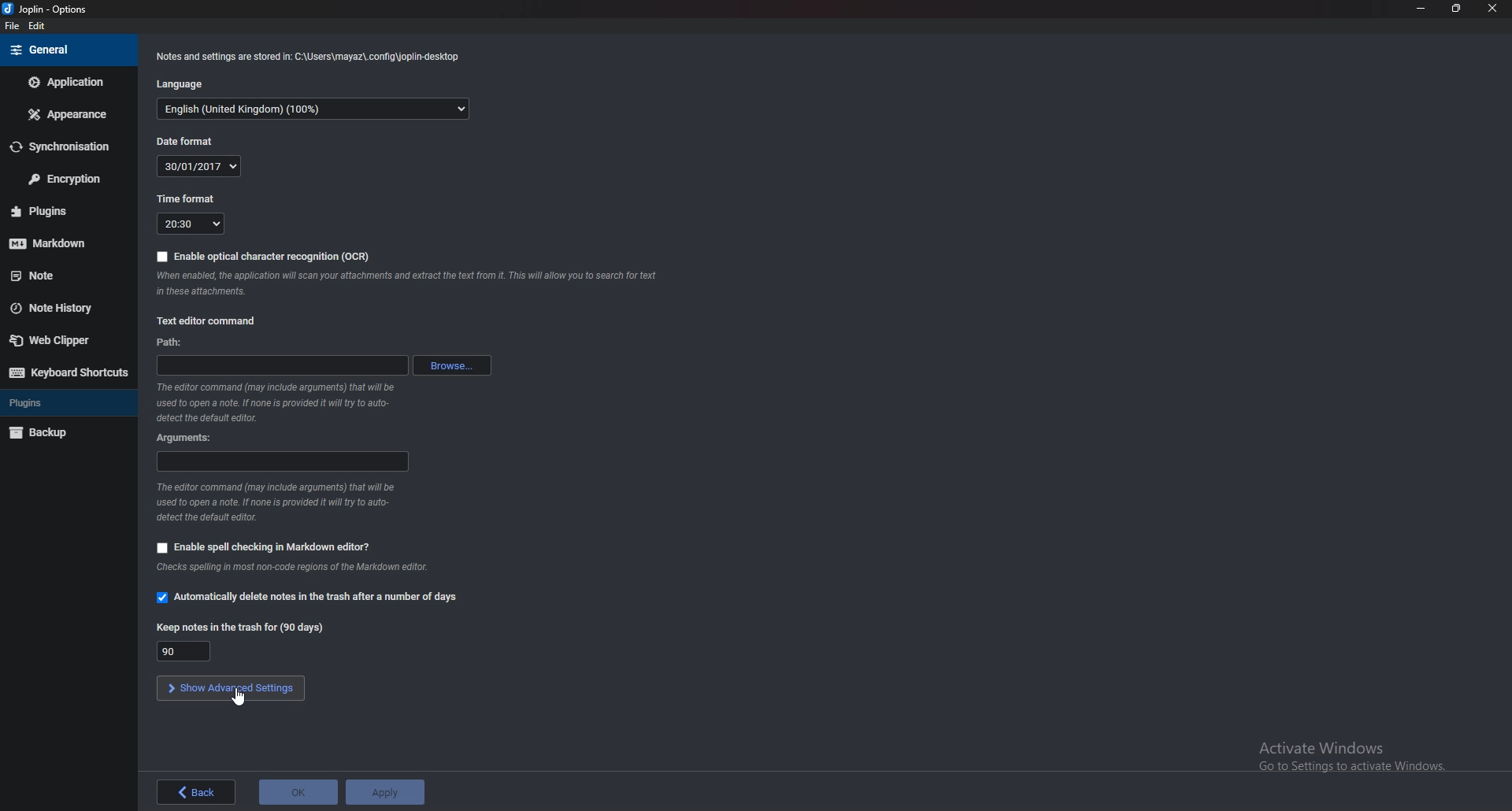 This screenshot has height=811, width=1512. What do you see at coordinates (59, 243) in the screenshot?
I see `Mark down` at bounding box center [59, 243].